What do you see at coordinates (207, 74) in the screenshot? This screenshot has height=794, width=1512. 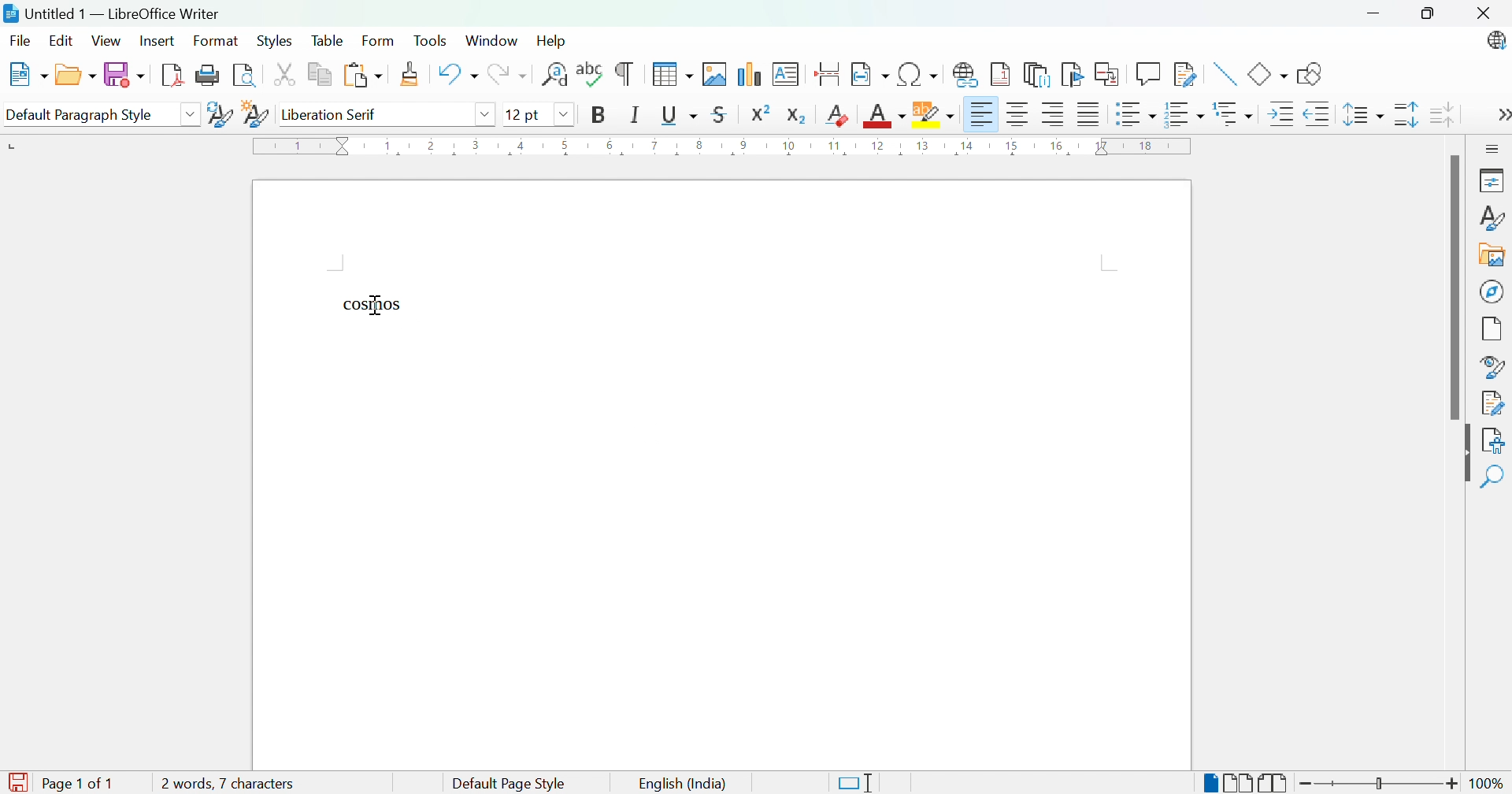 I see `Print` at bounding box center [207, 74].